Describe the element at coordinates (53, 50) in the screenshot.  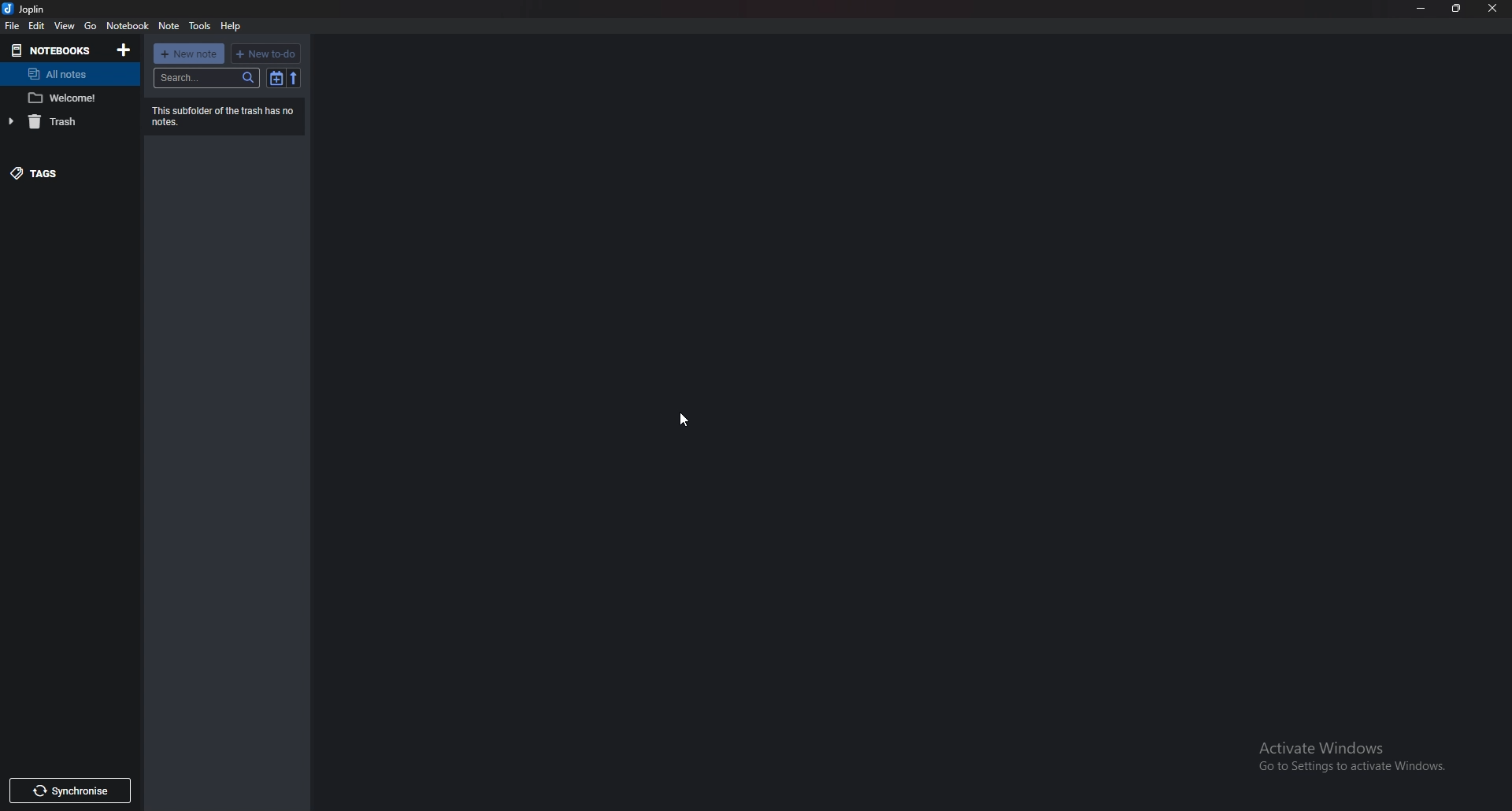
I see `Notebooks` at that location.